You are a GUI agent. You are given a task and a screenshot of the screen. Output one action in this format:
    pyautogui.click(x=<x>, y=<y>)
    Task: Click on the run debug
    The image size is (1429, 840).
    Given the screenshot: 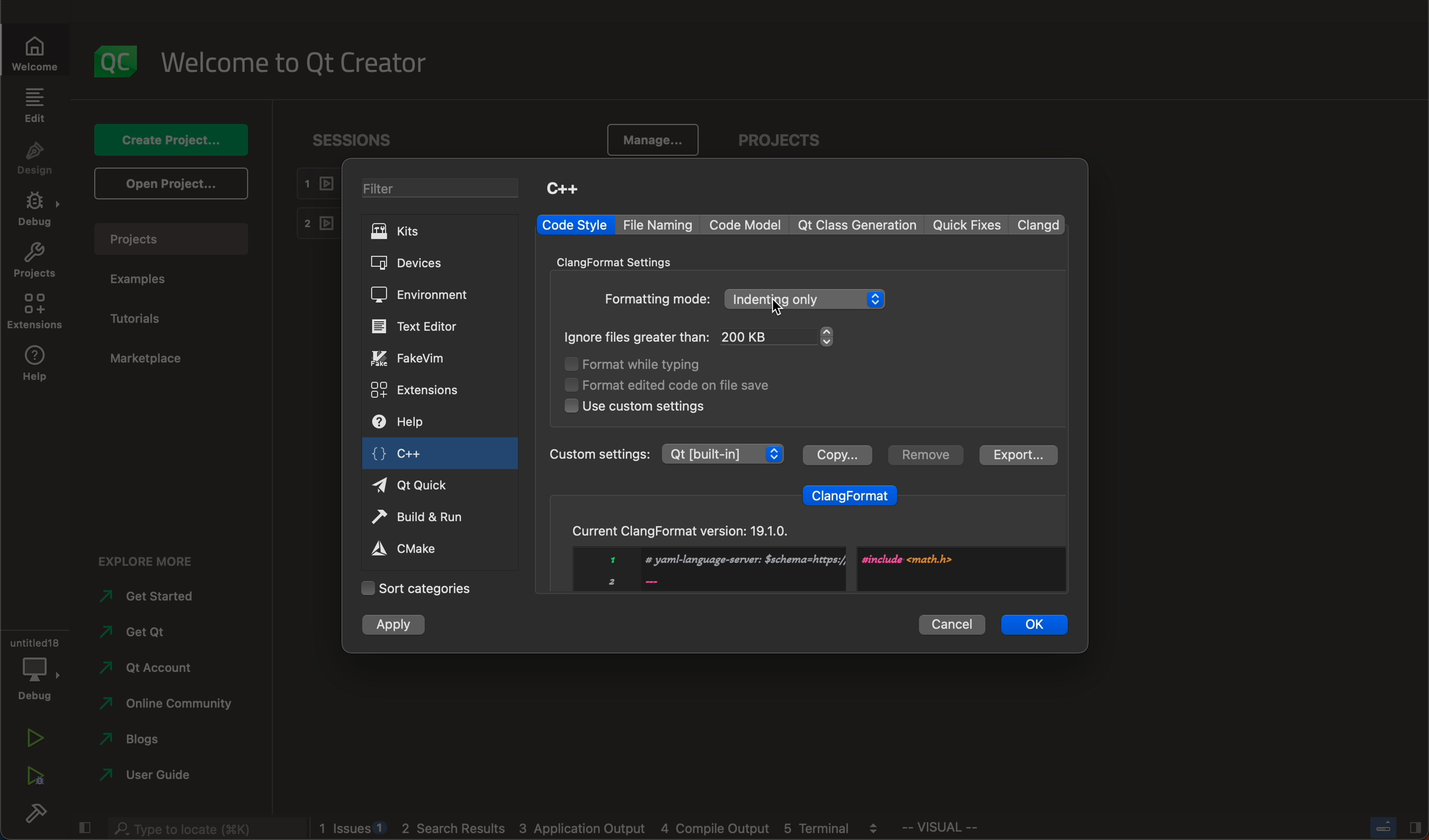 What is the action you would take?
    pyautogui.click(x=34, y=773)
    